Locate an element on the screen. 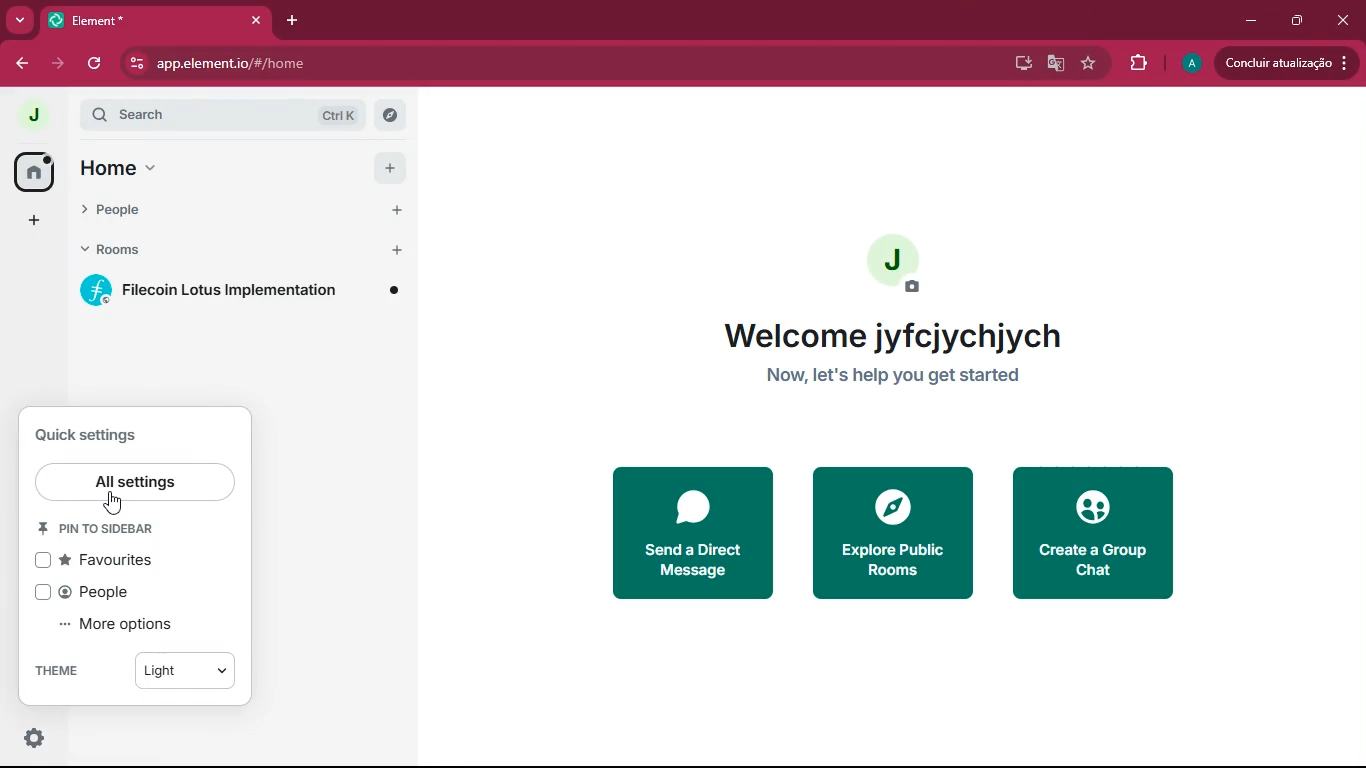 This screenshot has width=1366, height=768. refresh is located at coordinates (92, 64).